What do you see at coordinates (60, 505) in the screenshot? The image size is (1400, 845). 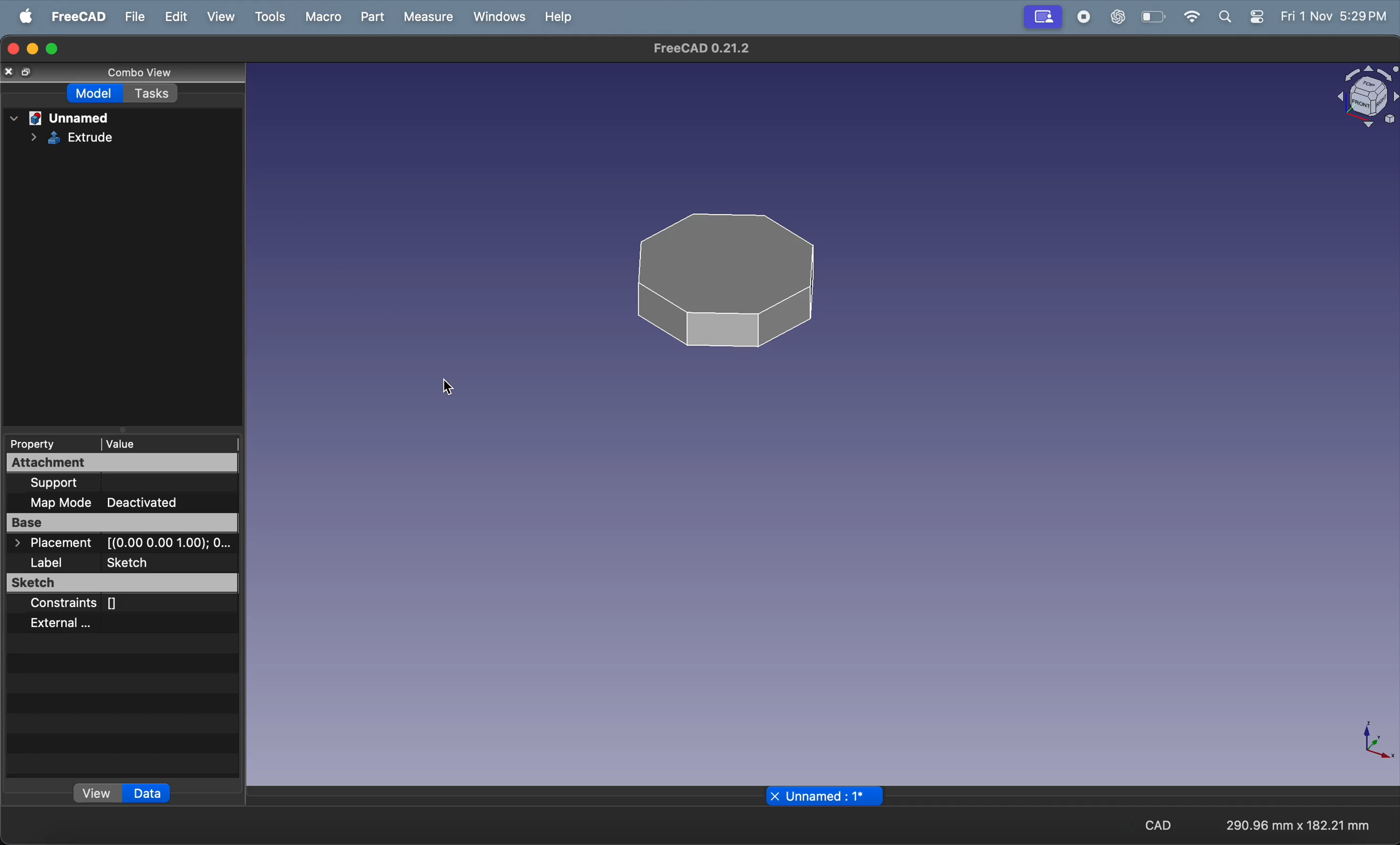 I see `map mode` at bounding box center [60, 505].